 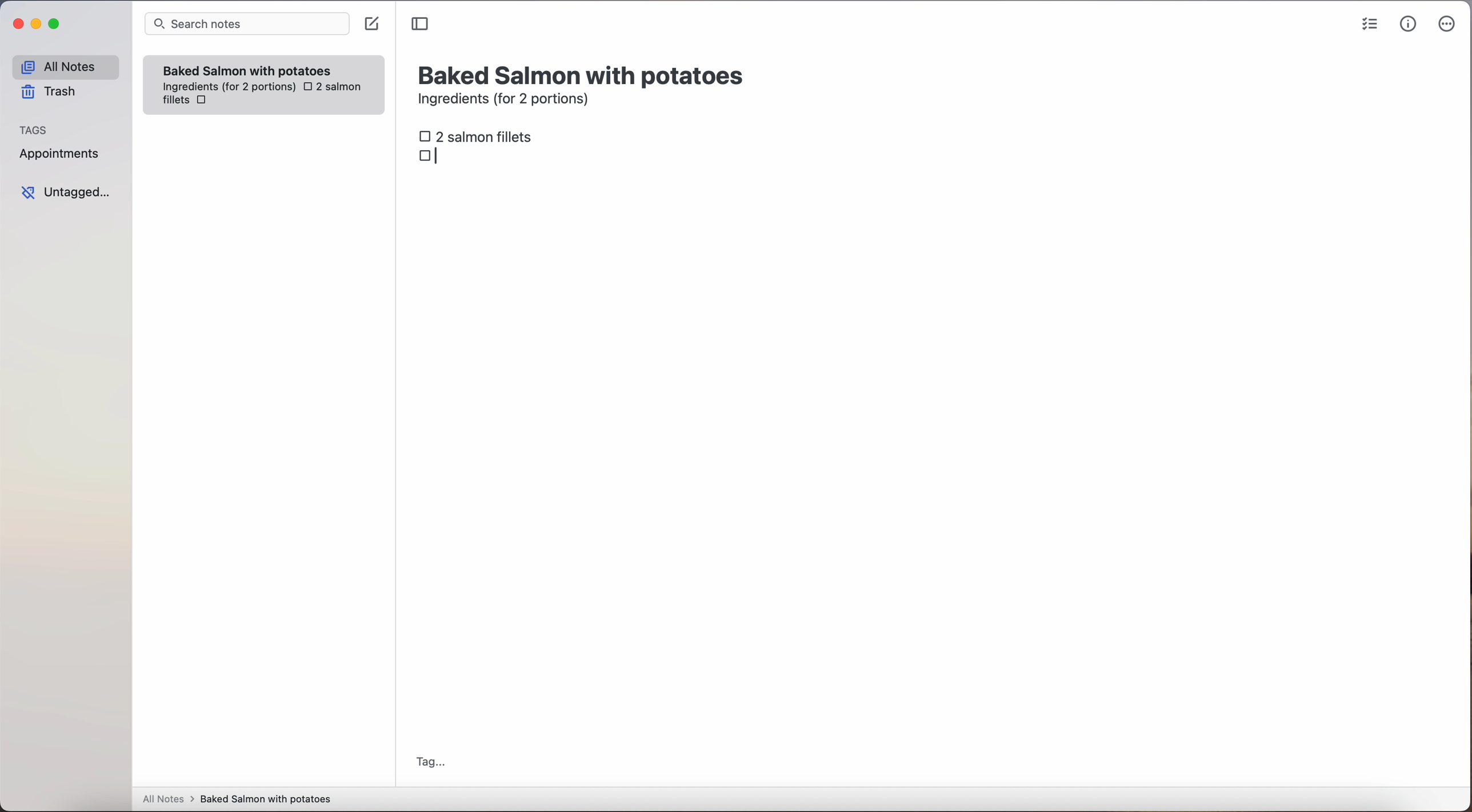 What do you see at coordinates (1370, 25) in the screenshot?
I see `check list` at bounding box center [1370, 25].